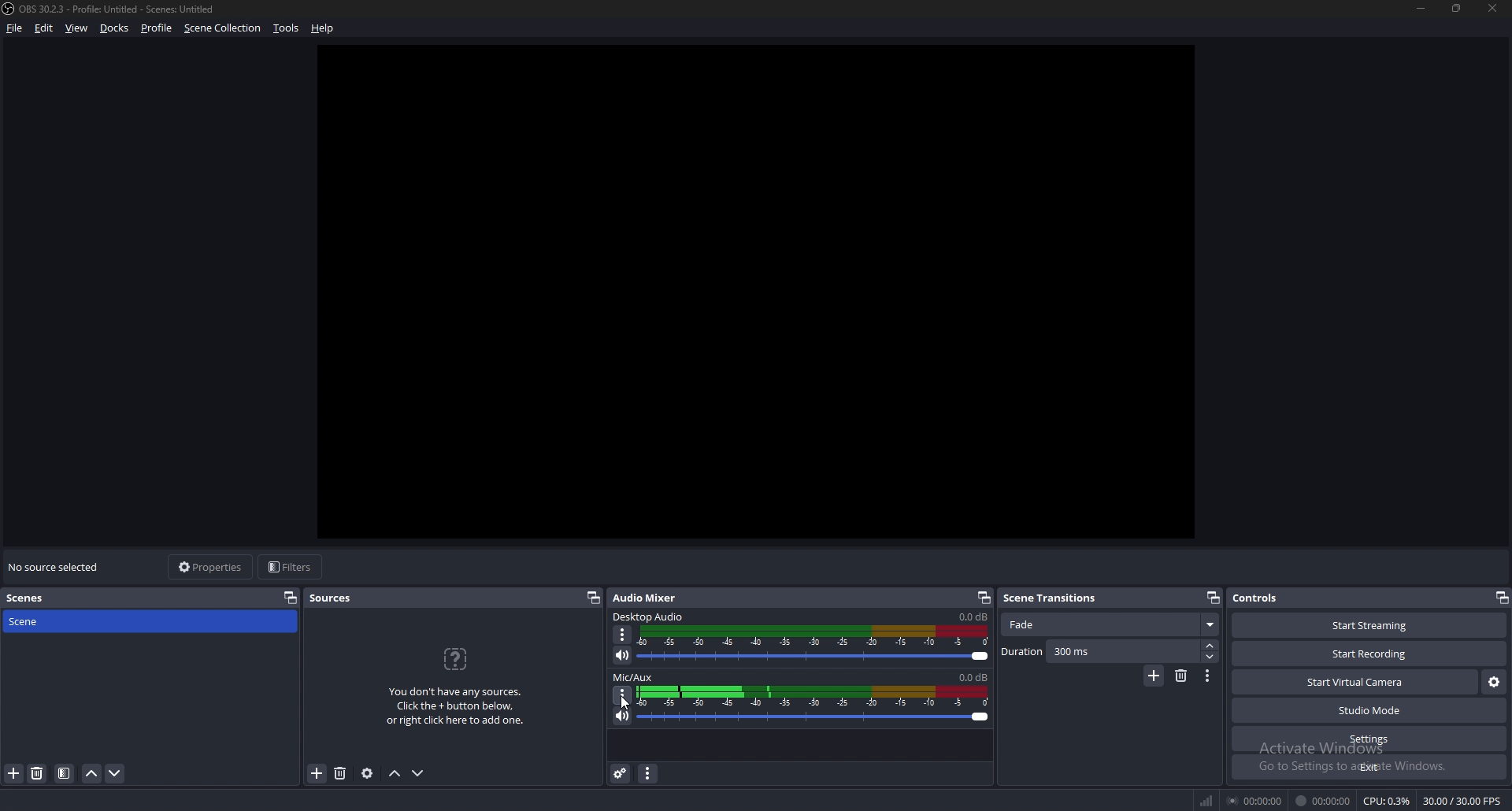 This screenshot has height=811, width=1512. I want to click on options, so click(624, 696).